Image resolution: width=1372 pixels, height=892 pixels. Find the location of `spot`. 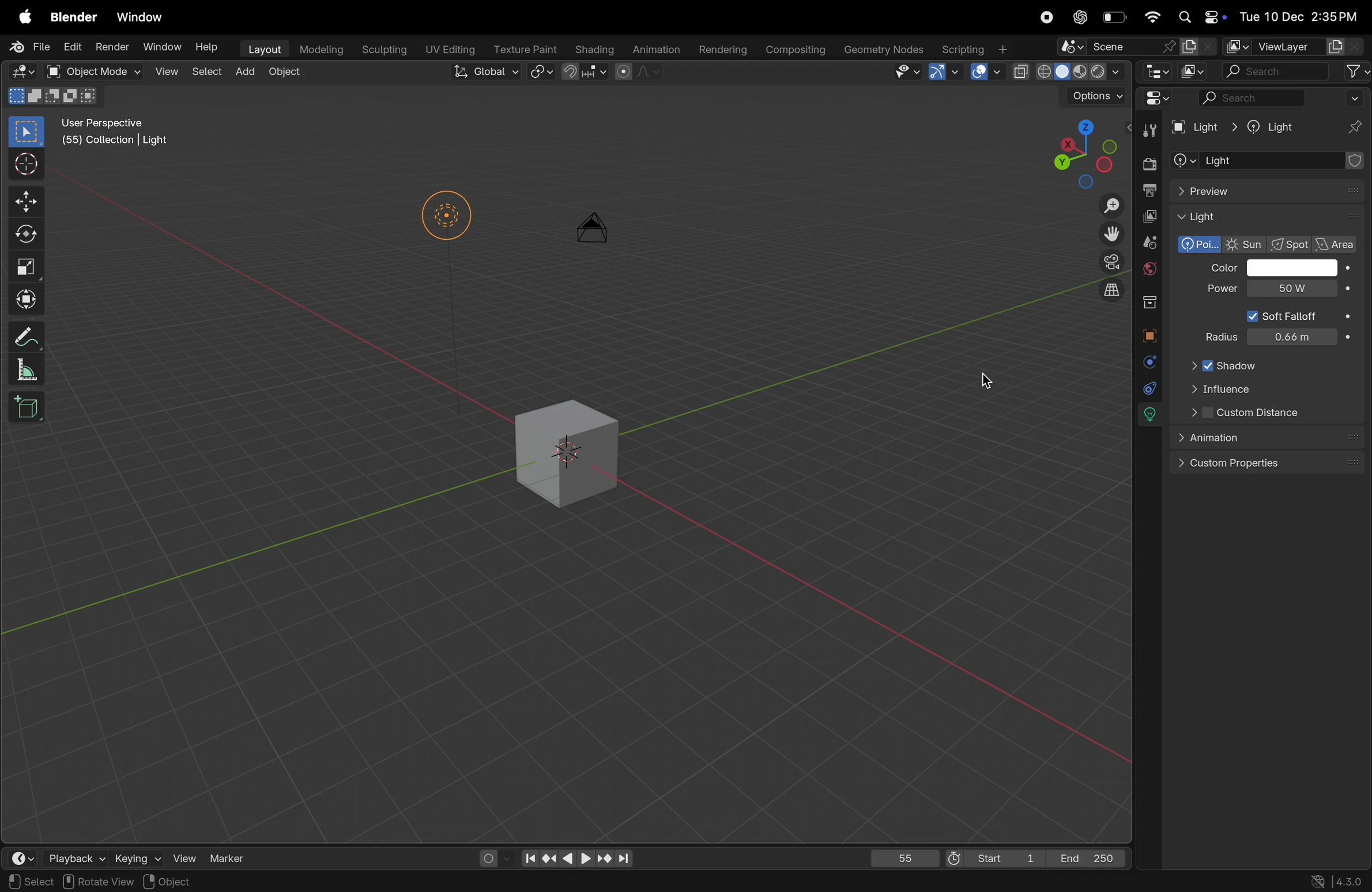

spot is located at coordinates (1292, 245).